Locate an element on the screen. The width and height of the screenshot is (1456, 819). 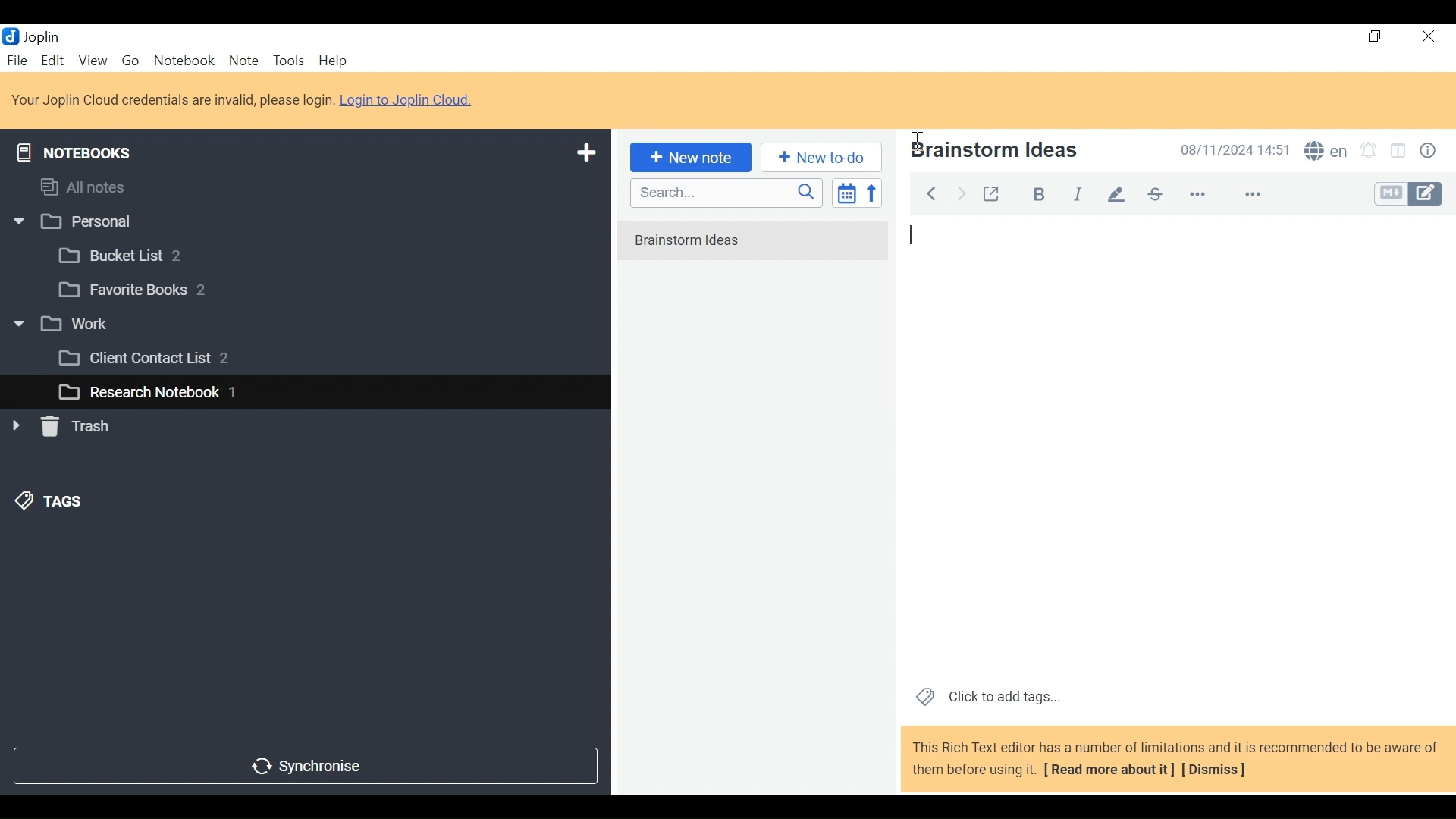
Toggle Editor layout is located at coordinates (1399, 152).